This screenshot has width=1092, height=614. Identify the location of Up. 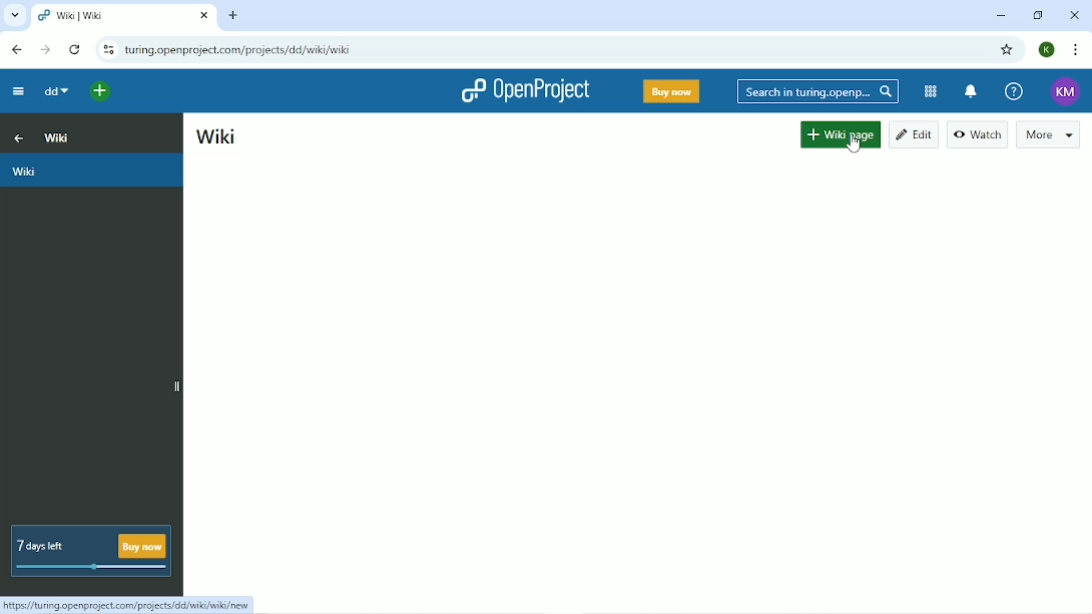
(16, 136).